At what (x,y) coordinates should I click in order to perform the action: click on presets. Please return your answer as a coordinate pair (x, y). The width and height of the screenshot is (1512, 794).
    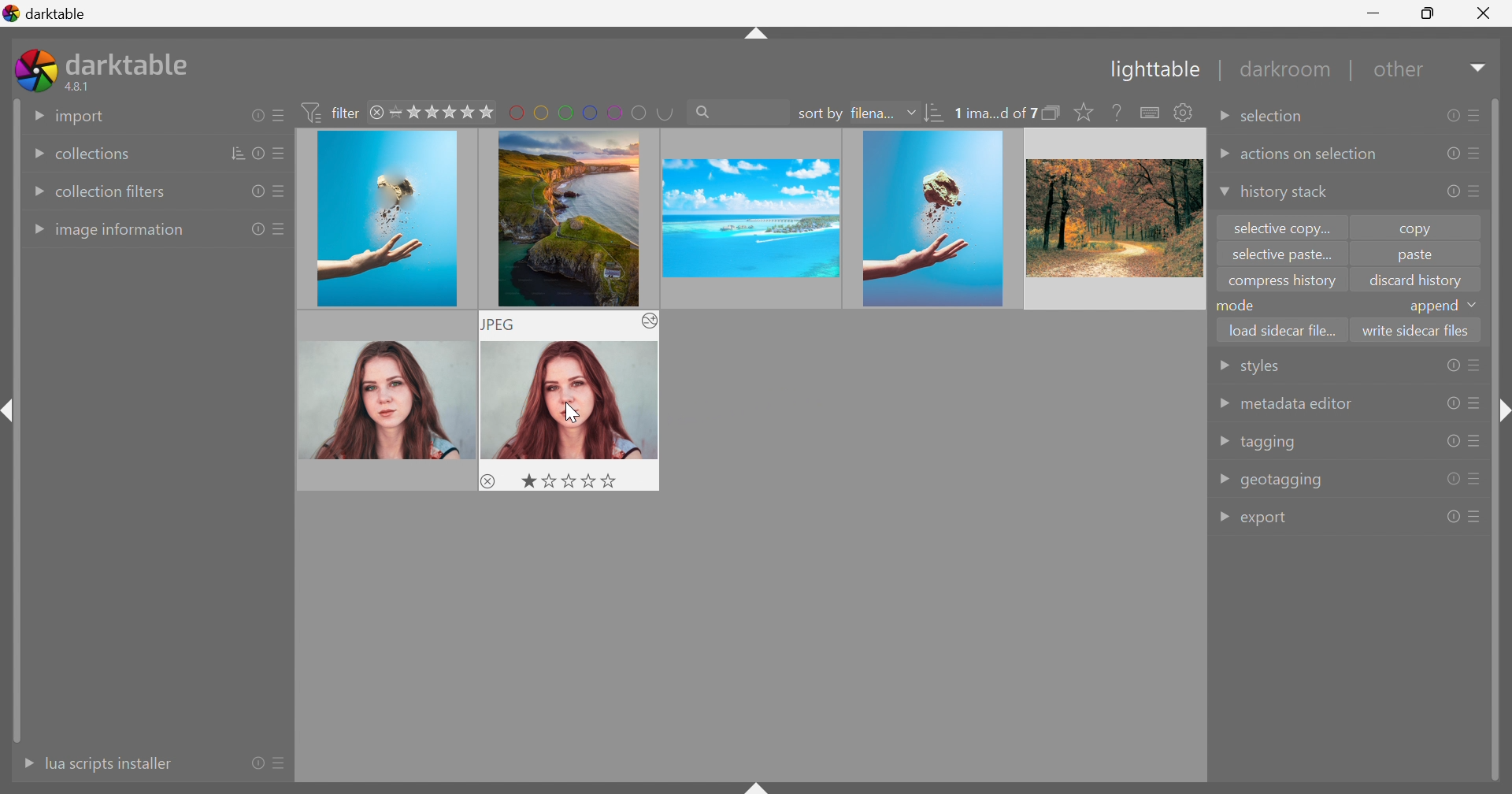
    Looking at the image, I should click on (1475, 404).